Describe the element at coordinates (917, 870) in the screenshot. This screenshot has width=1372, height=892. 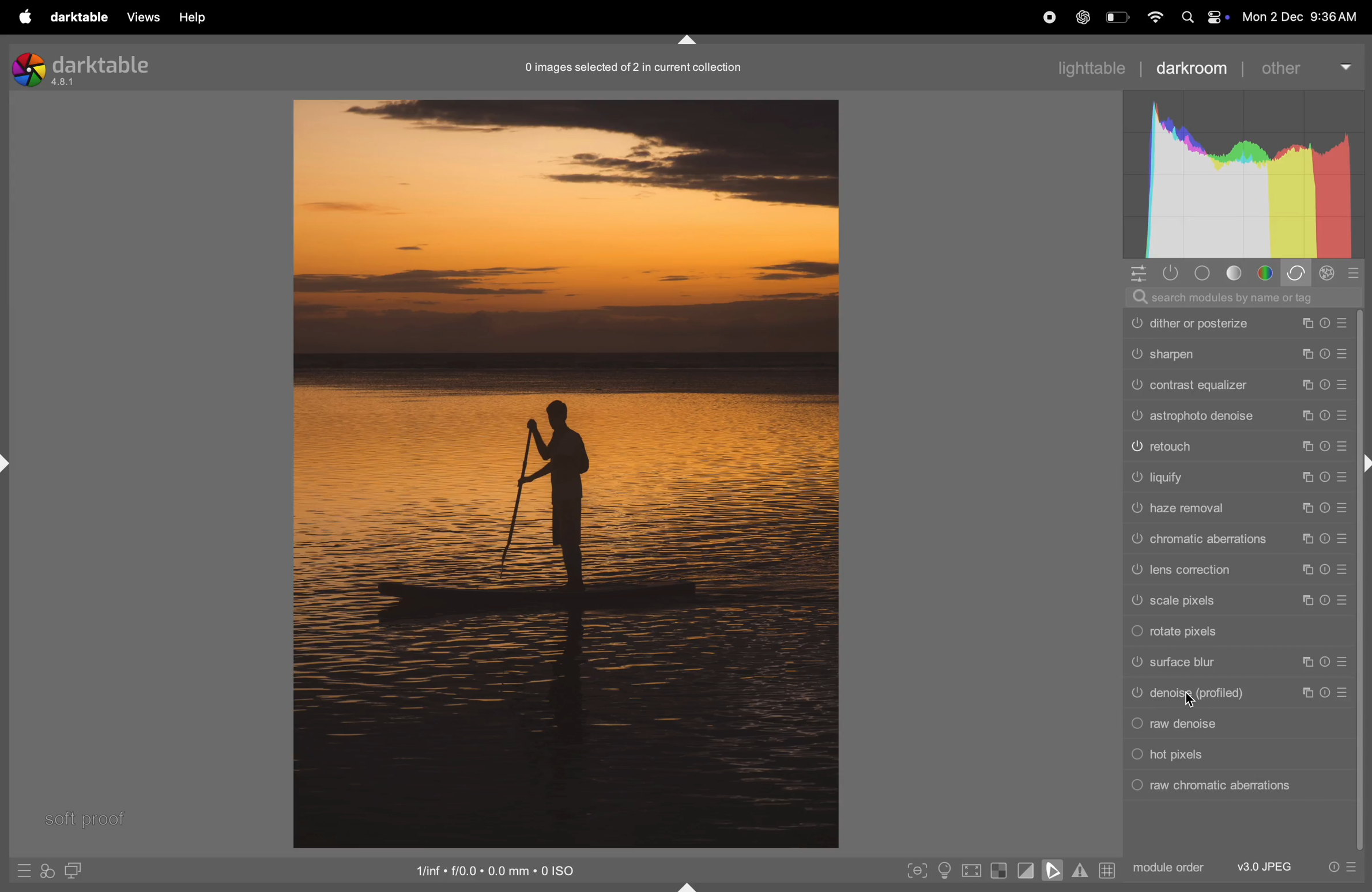
I see `toggle peak focusing` at that location.